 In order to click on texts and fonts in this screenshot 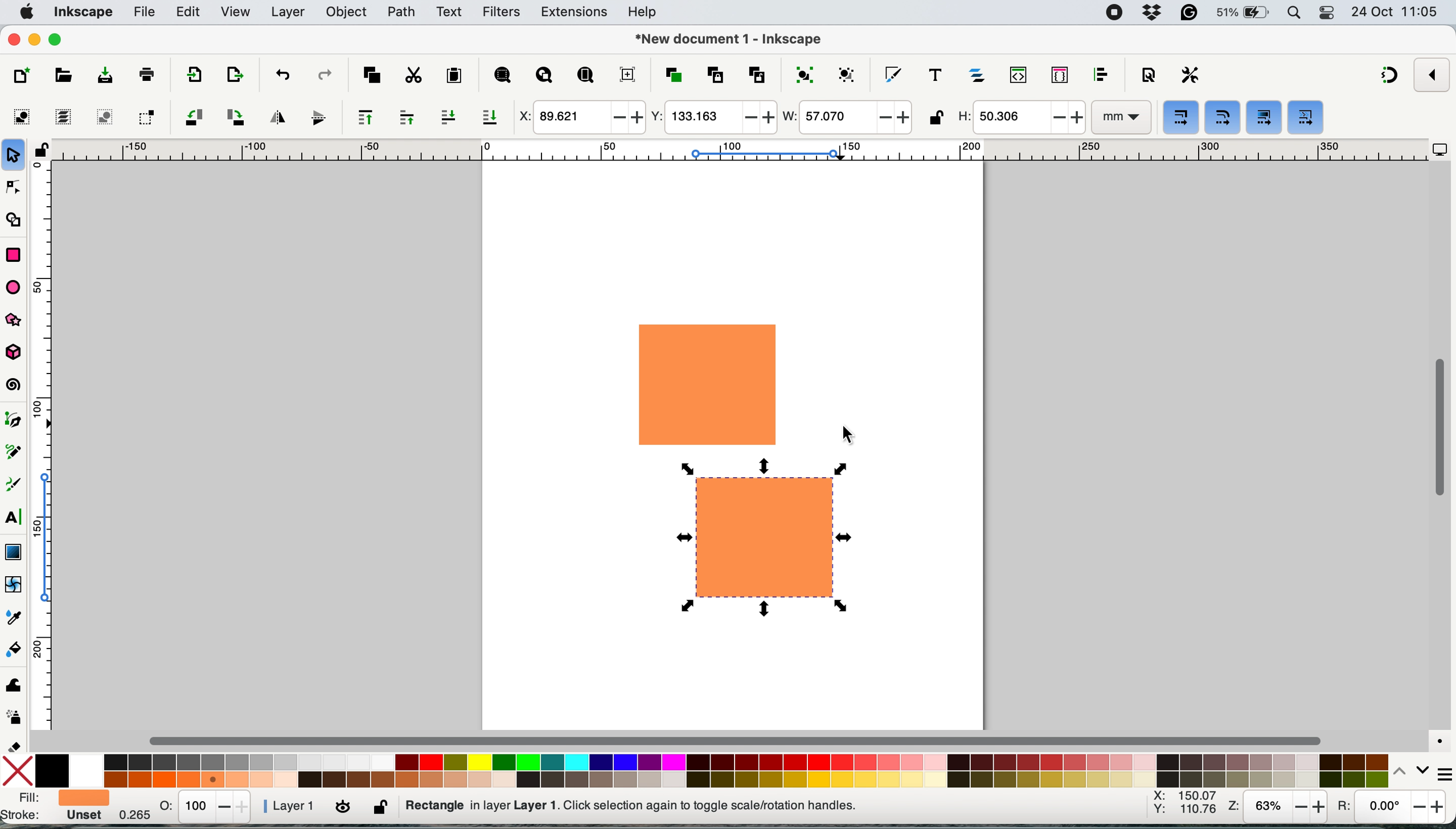, I will do `click(935, 75)`.